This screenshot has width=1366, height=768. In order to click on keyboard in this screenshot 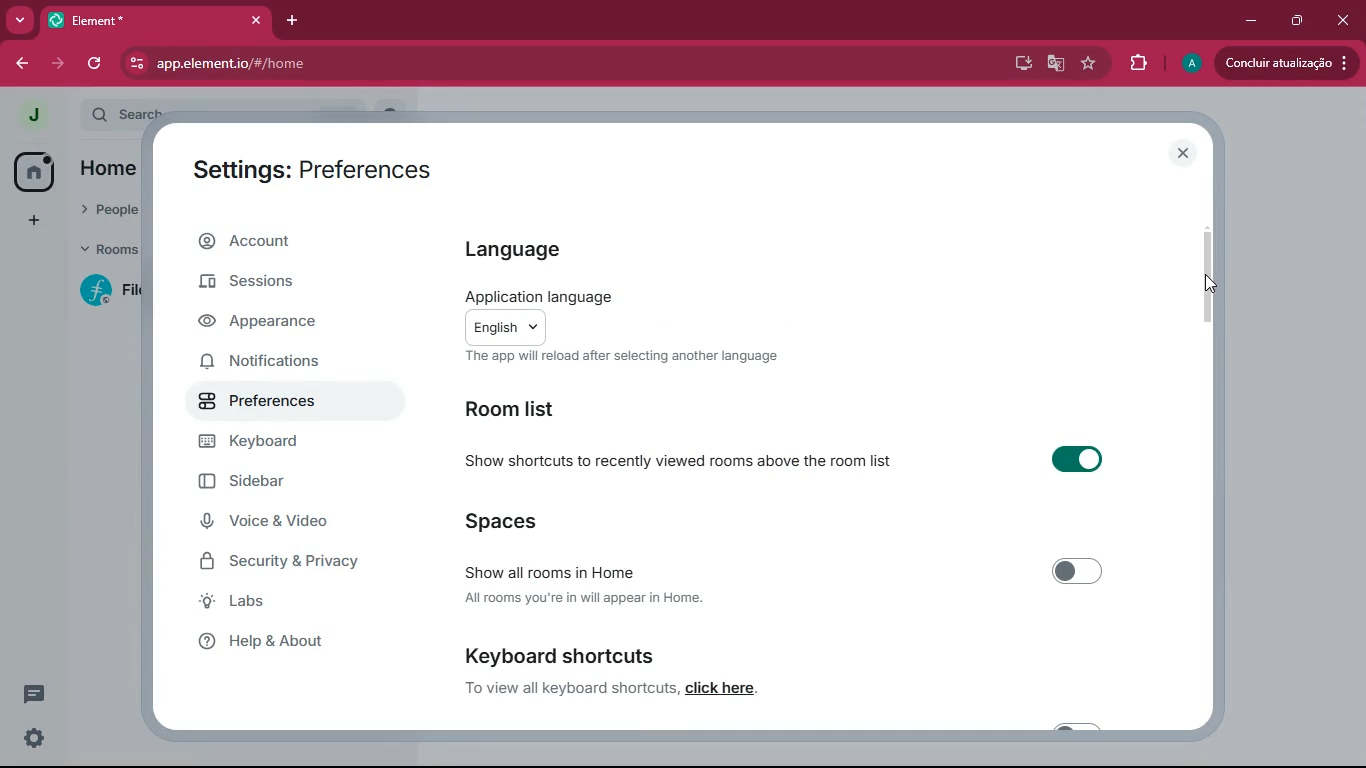, I will do `click(262, 443)`.